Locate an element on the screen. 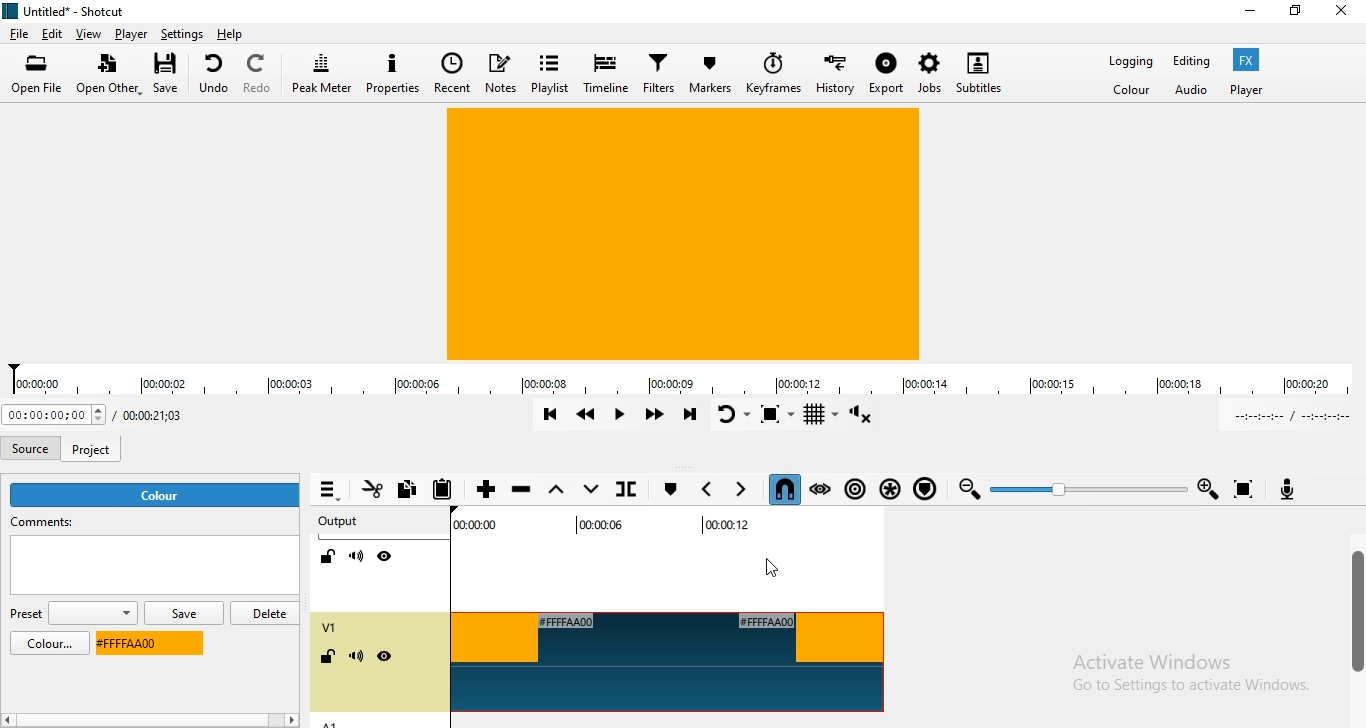 Image resolution: width=1366 pixels, height=728 pixels. Peak meter is located at coordinates (323, 72).